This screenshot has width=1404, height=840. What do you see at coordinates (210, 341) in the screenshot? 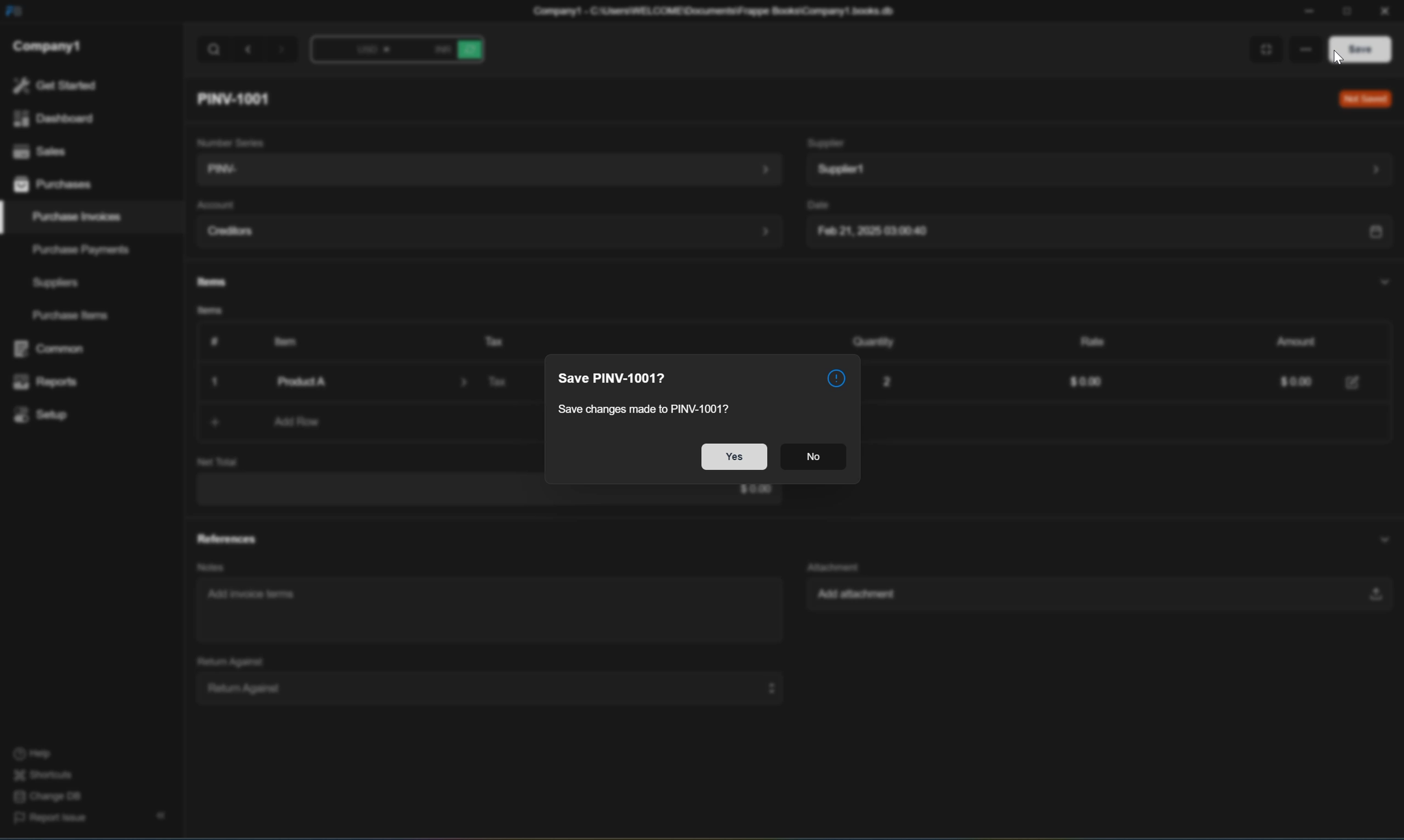
I see `` at bounding box center [210, 341].